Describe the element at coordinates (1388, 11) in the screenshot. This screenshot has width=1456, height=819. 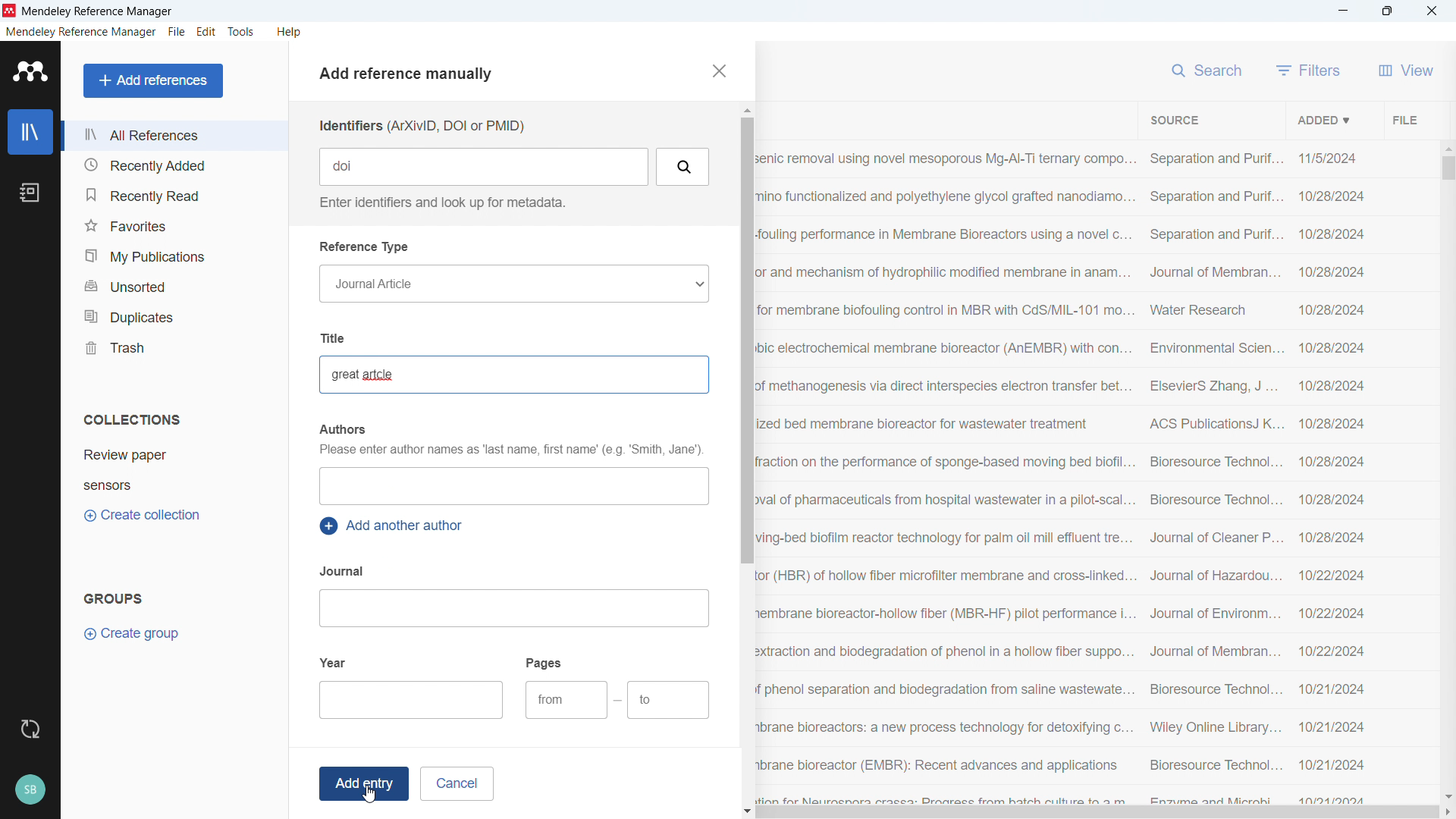
I see ` Maximise` at that location.